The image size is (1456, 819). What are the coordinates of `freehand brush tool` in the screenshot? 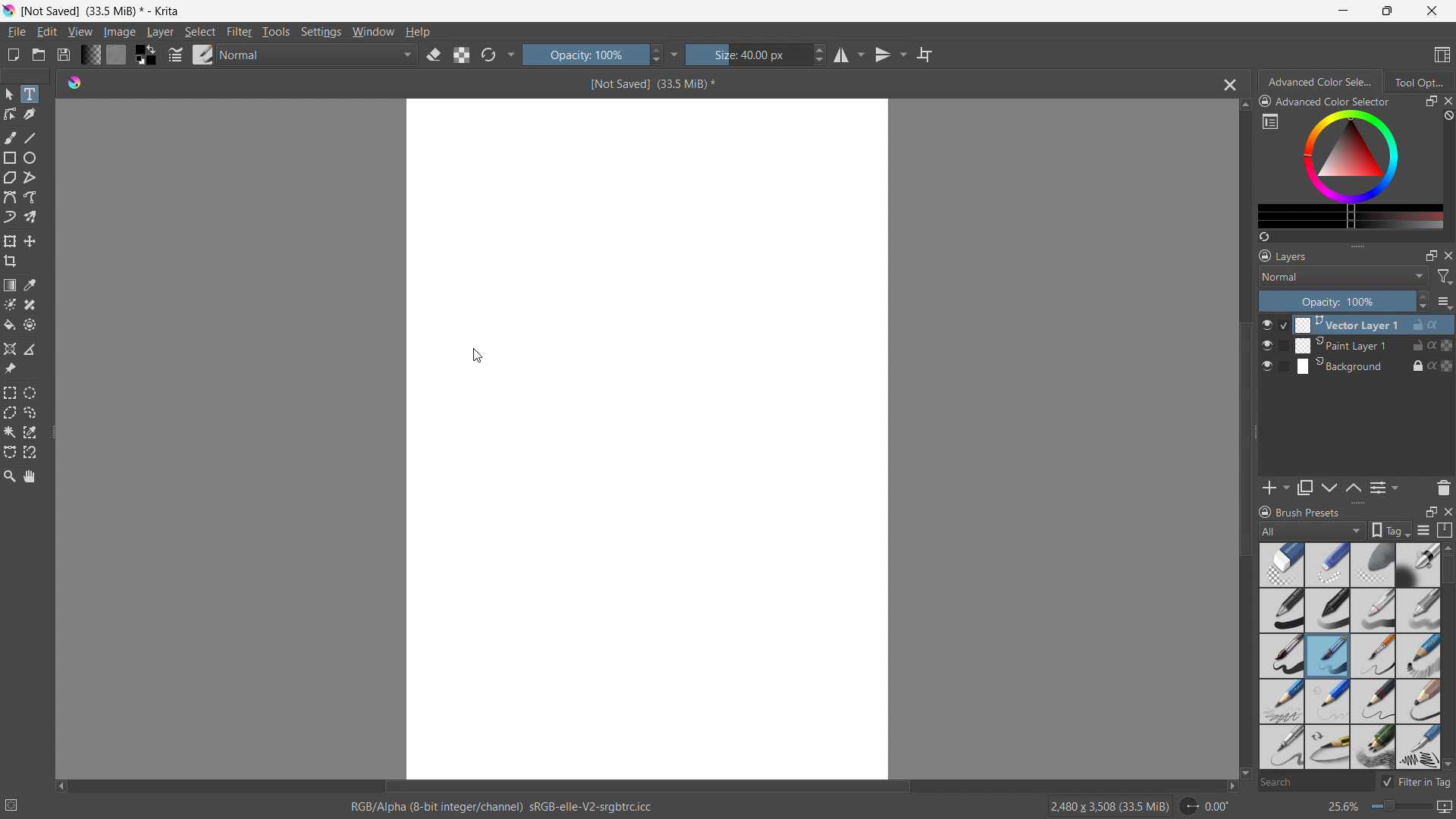 It's located at (11, 137).